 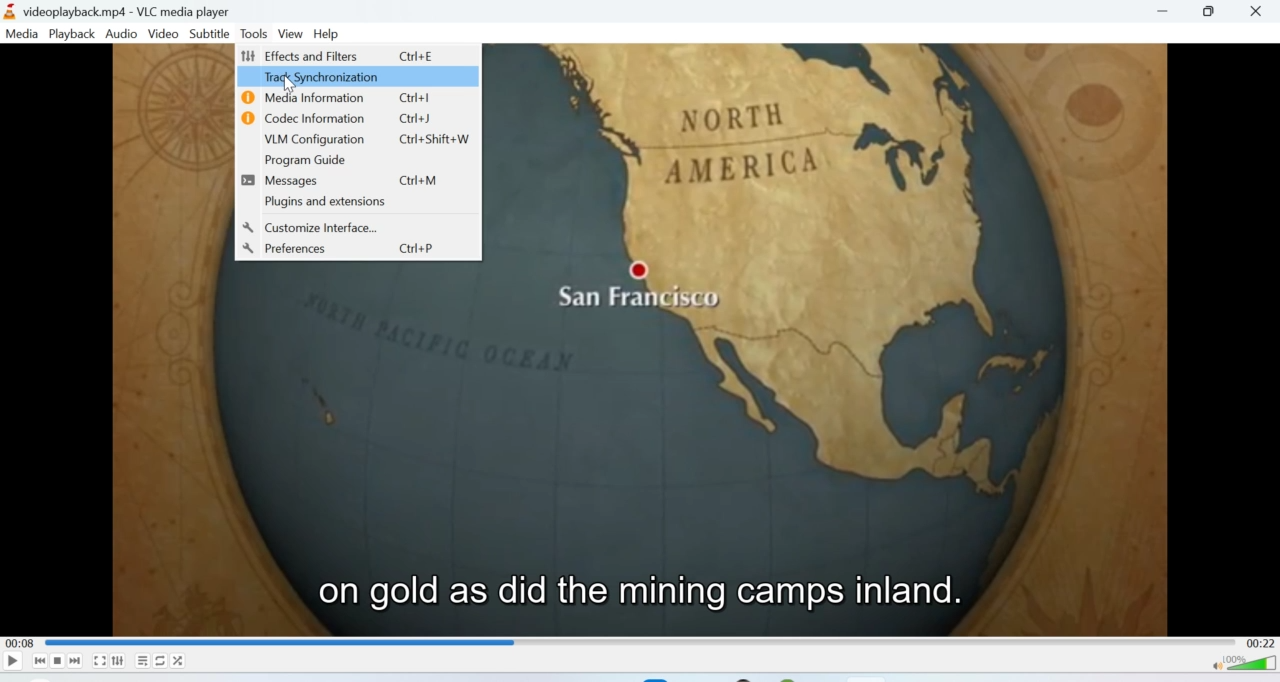 What do you see at coordinates (276, 181) in the screenshot?
I see `Messages` at bounding box center [276, 181].